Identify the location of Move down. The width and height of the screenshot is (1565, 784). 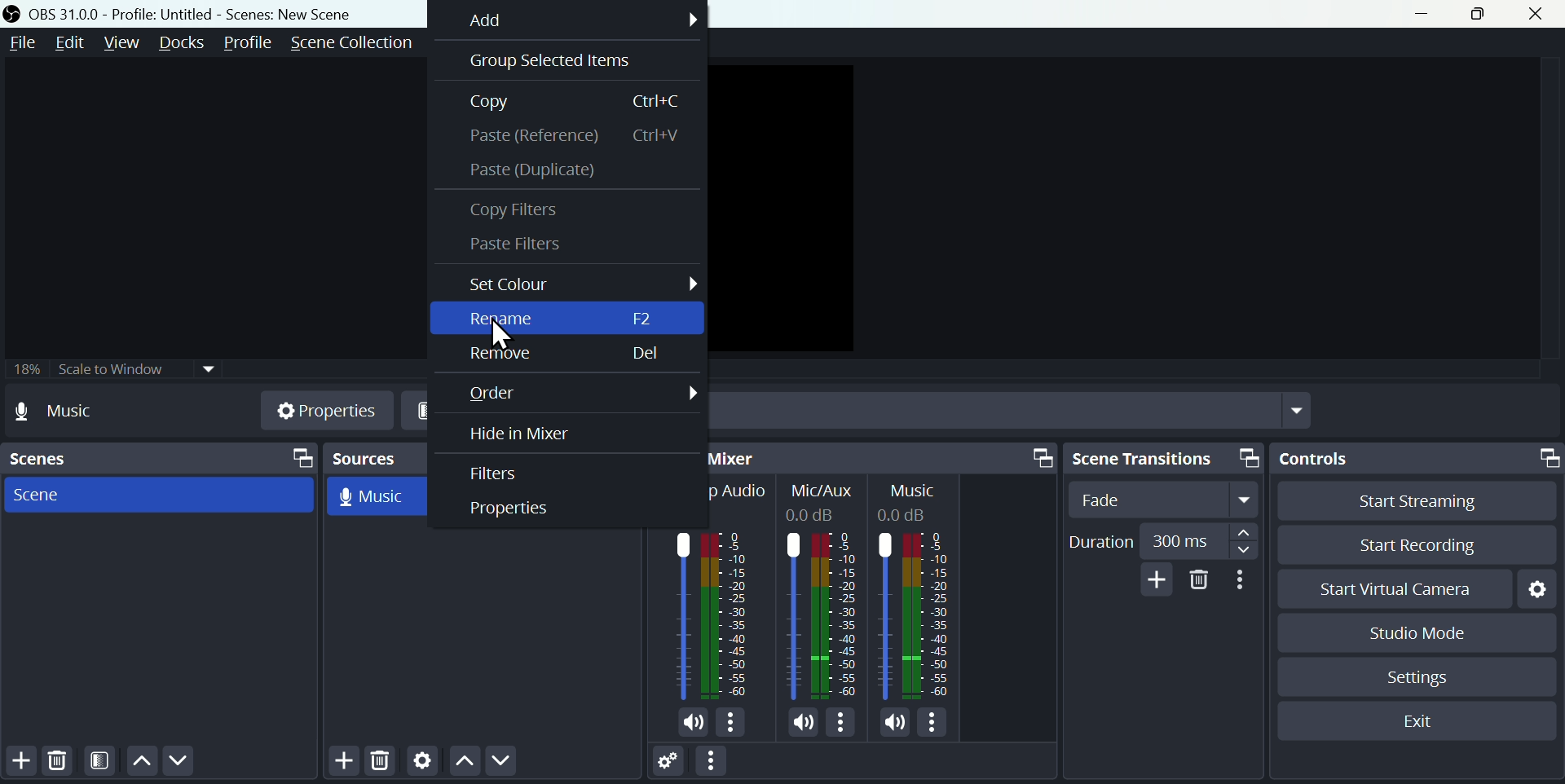
(504, 762).